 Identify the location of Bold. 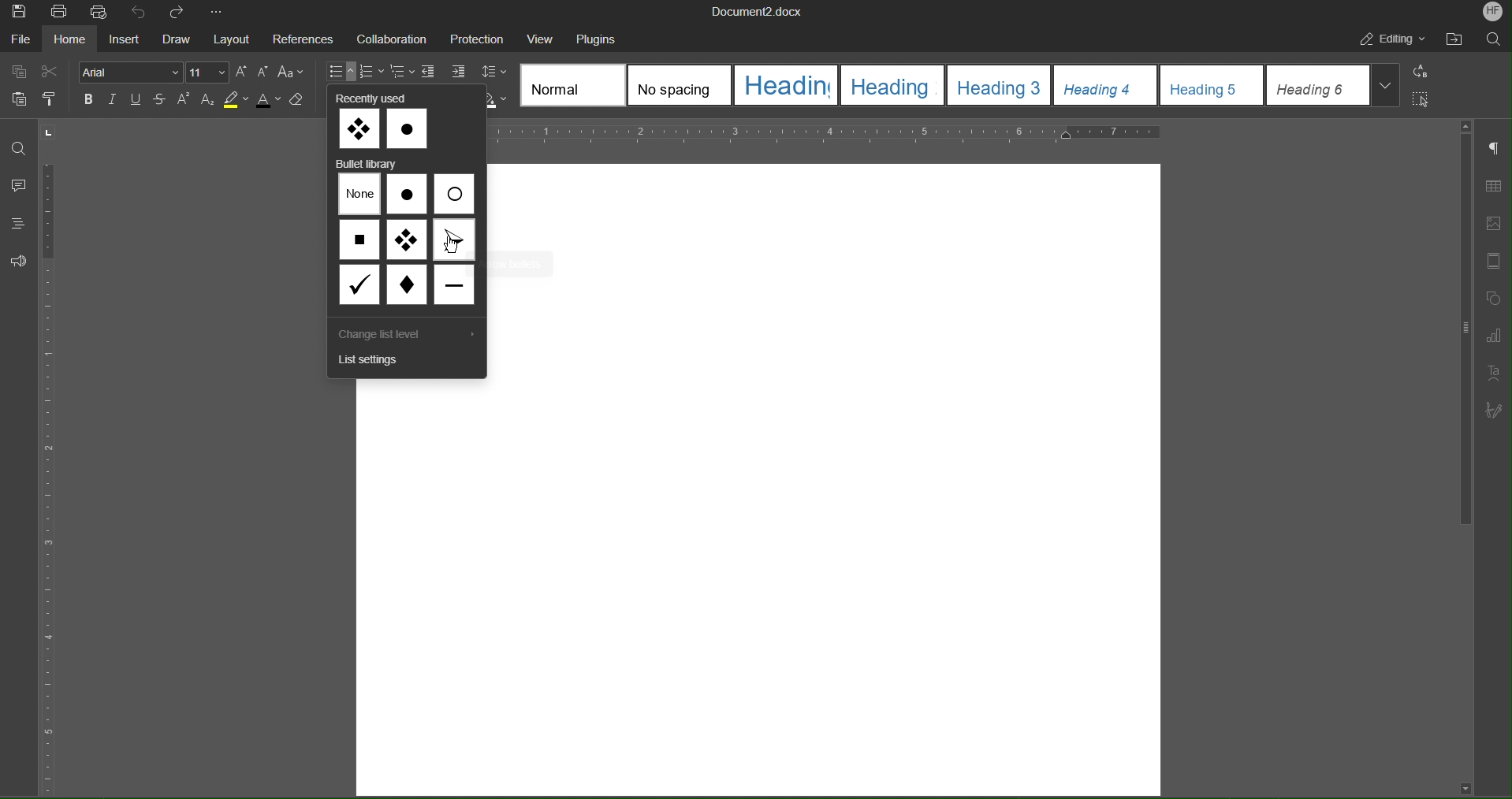
(88, 98).